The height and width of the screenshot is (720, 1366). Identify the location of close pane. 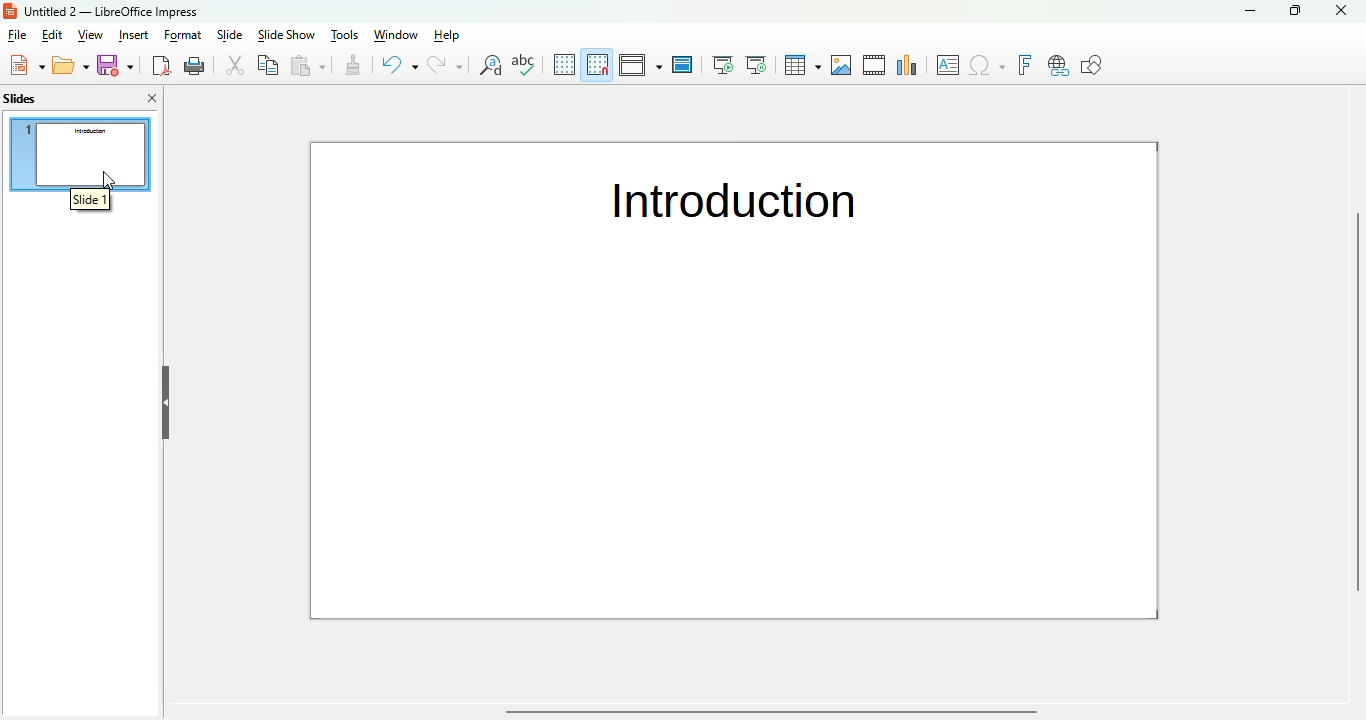
(152, 97).